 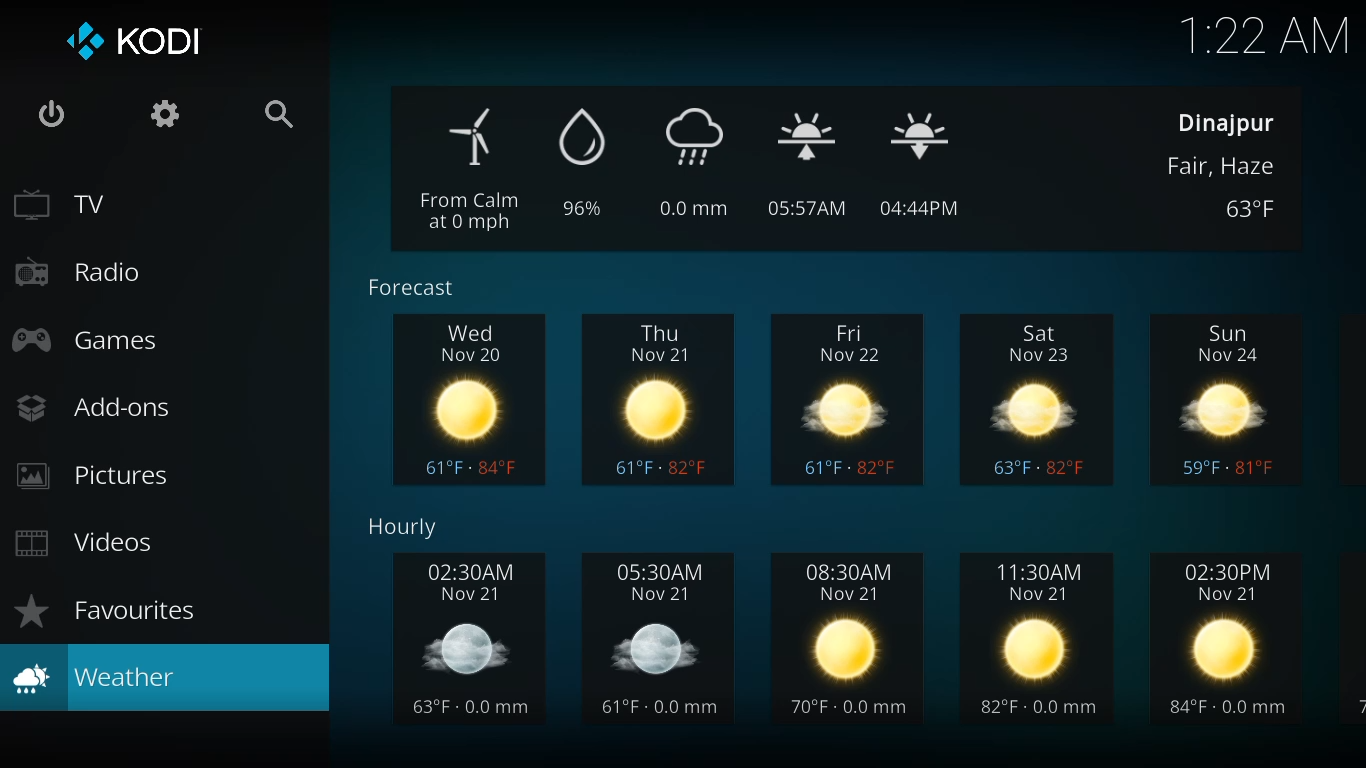 What do you see at coordinates (75, 271) in the screenshot?
I see `radio` at bounding box center [75, 271].